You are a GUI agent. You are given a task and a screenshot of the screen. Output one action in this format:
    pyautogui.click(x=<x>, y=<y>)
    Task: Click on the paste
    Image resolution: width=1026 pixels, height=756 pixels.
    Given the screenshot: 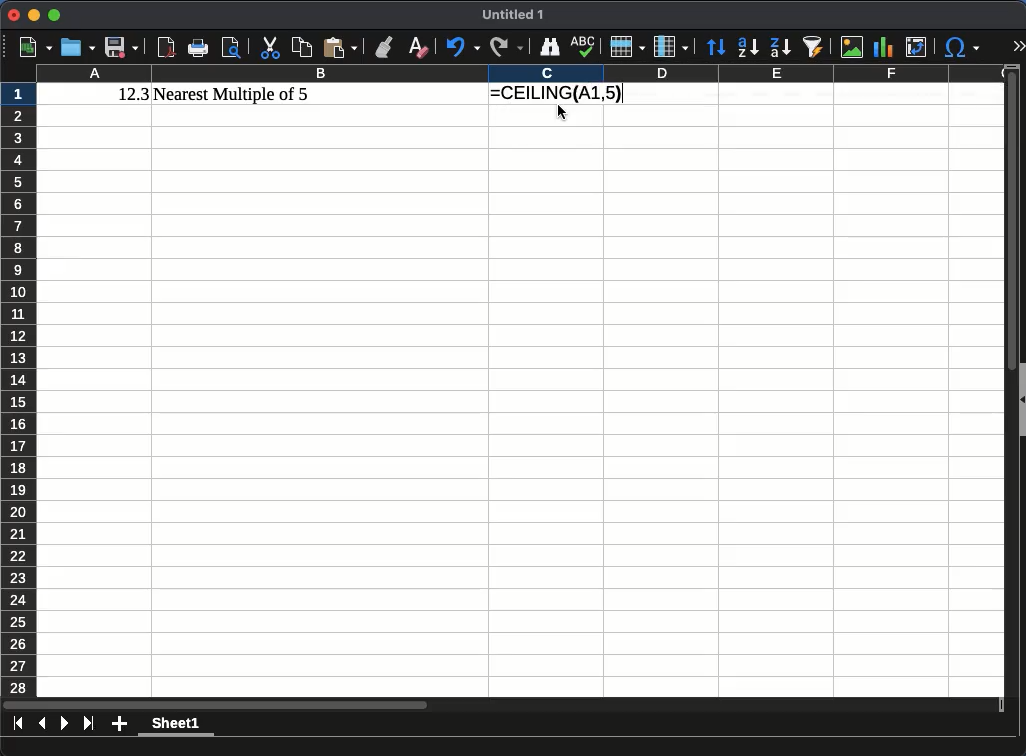 What is the action you would take?
    pyautogui.click(x=340, y=47)
    